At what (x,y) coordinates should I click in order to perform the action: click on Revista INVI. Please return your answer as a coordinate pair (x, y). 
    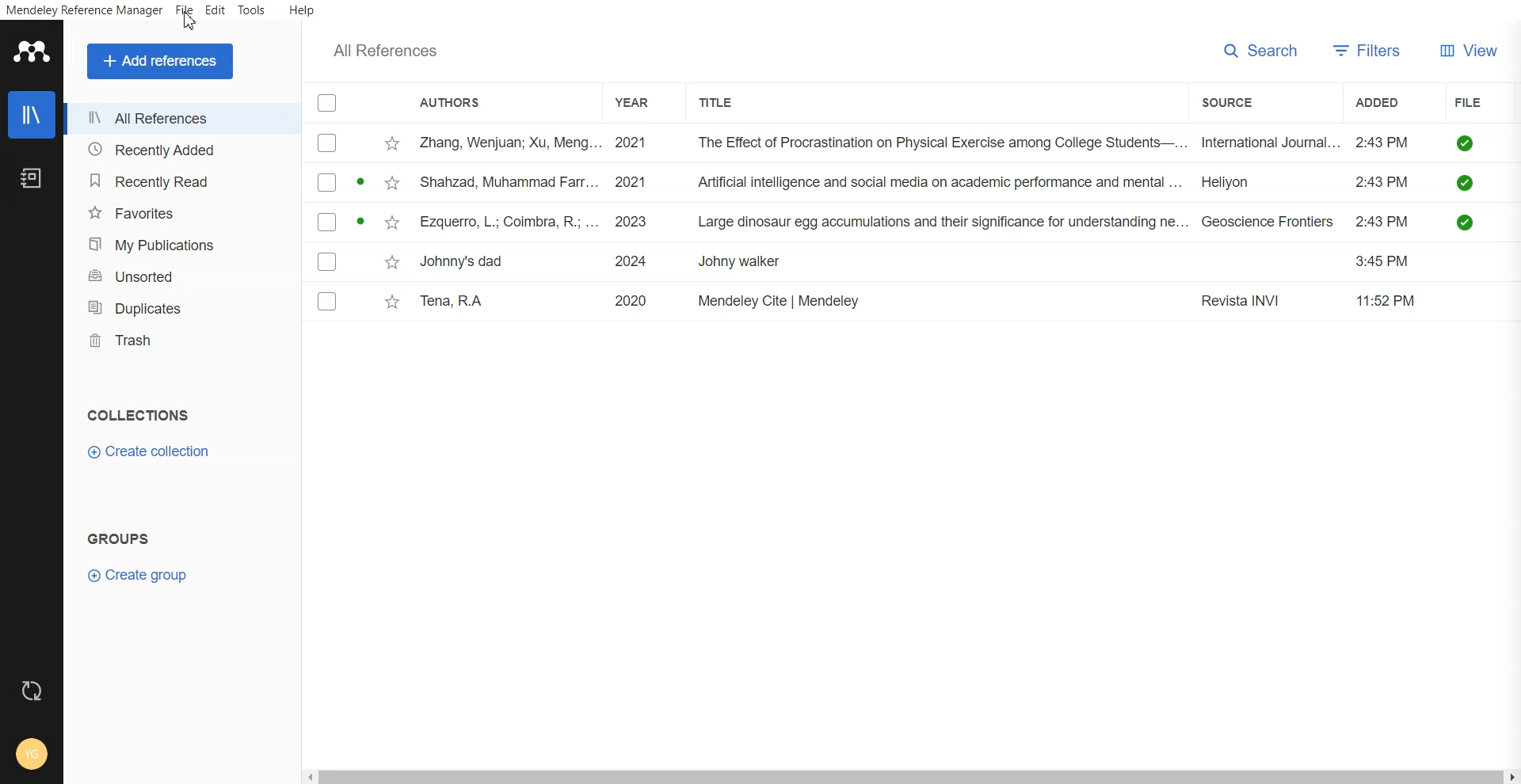
    Looking at the image, I should click on (1245, 302).